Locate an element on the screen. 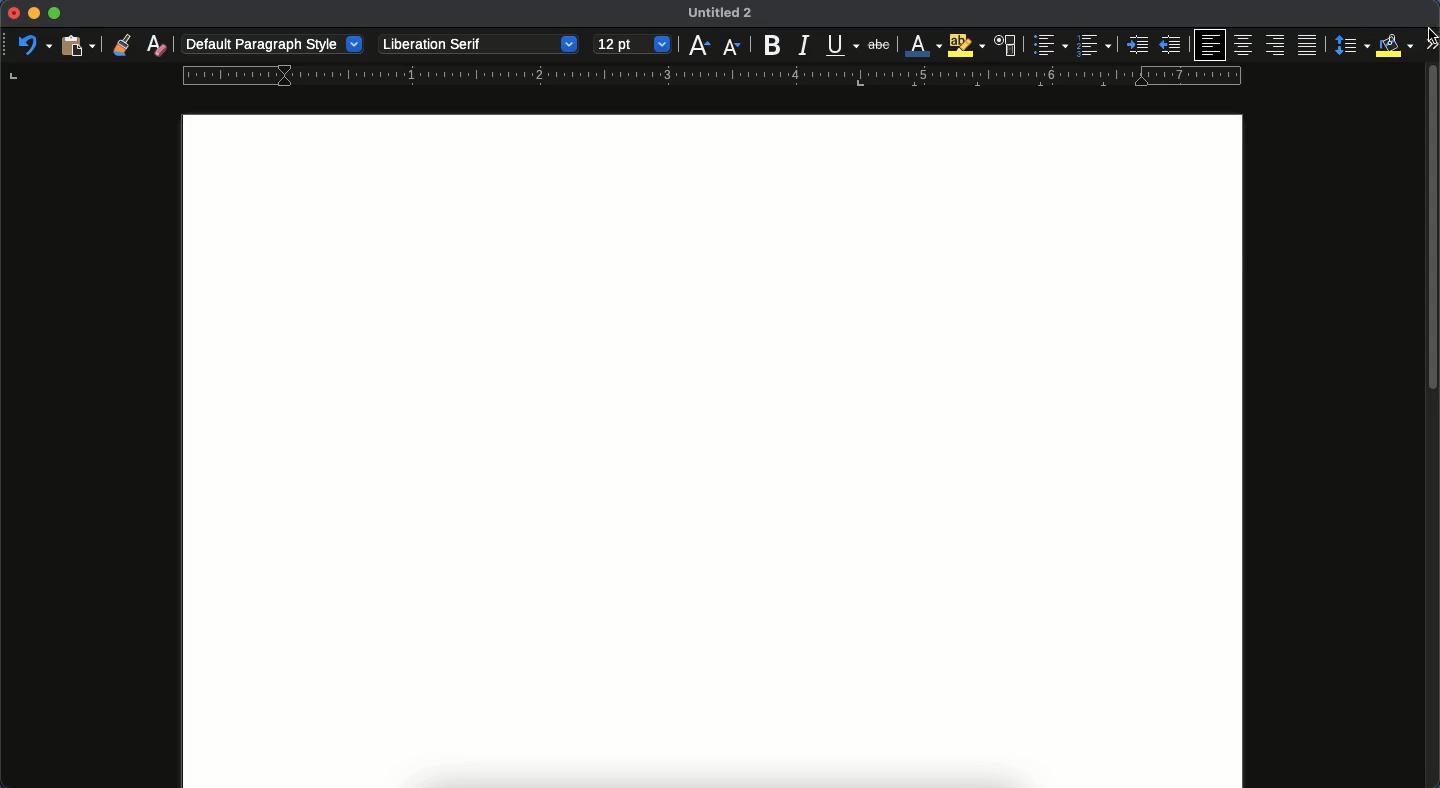 The image size is (1440, 788). Untitled 2 - name is located at coordinates (724, 14).